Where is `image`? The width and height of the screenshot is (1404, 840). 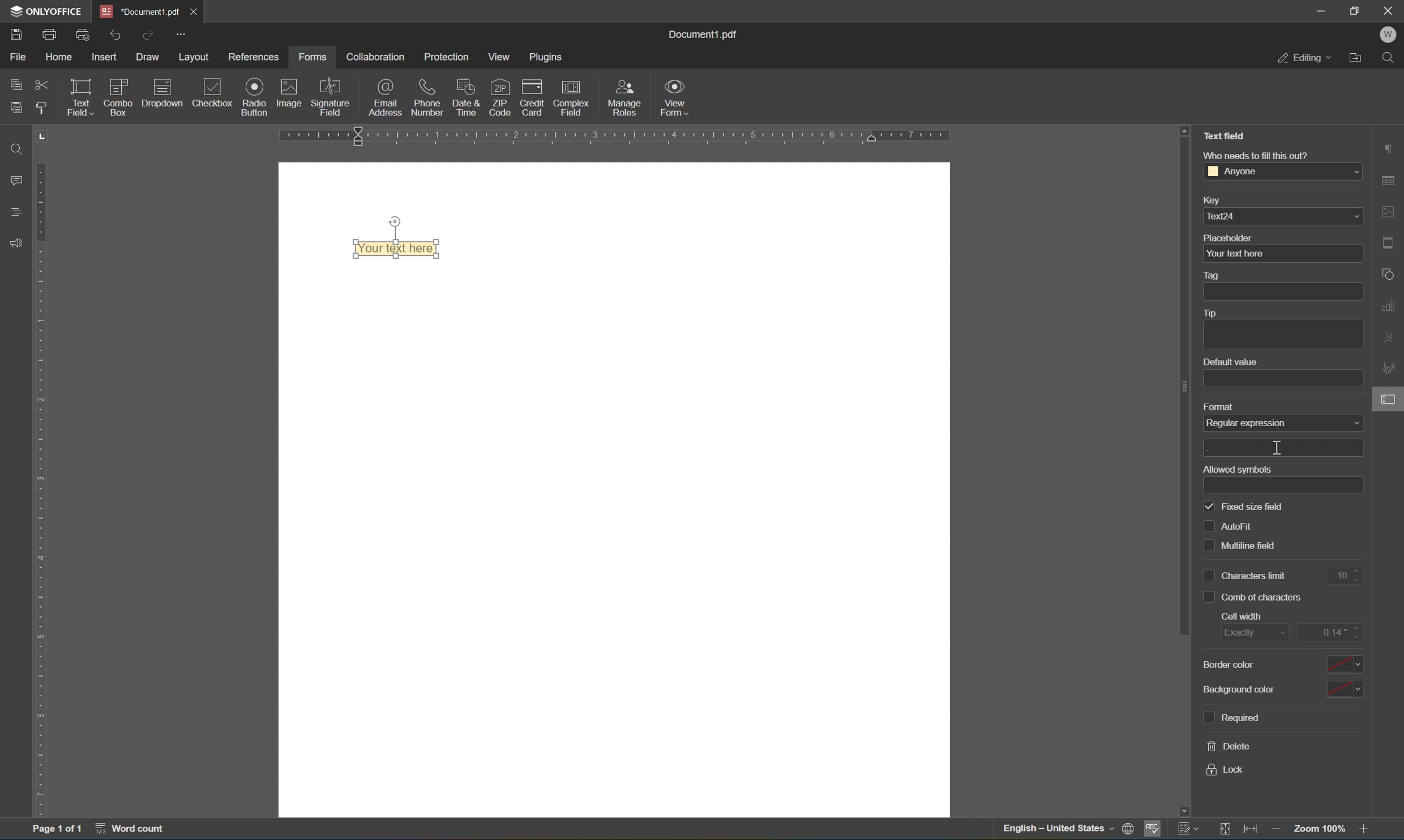
image is located at coordinates (290, 92).